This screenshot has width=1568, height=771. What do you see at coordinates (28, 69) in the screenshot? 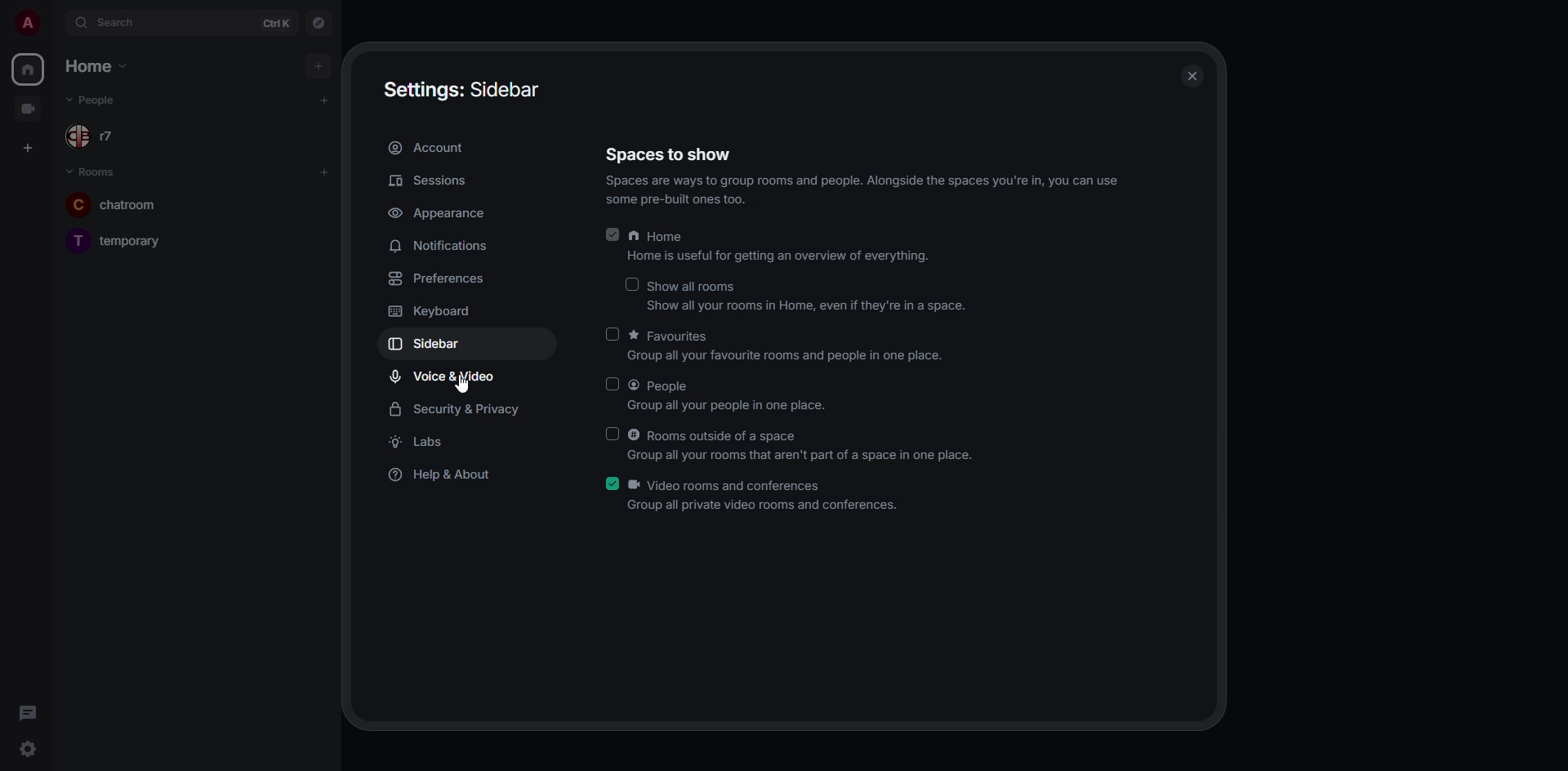
I see `home` at bounding box center [28, 69].